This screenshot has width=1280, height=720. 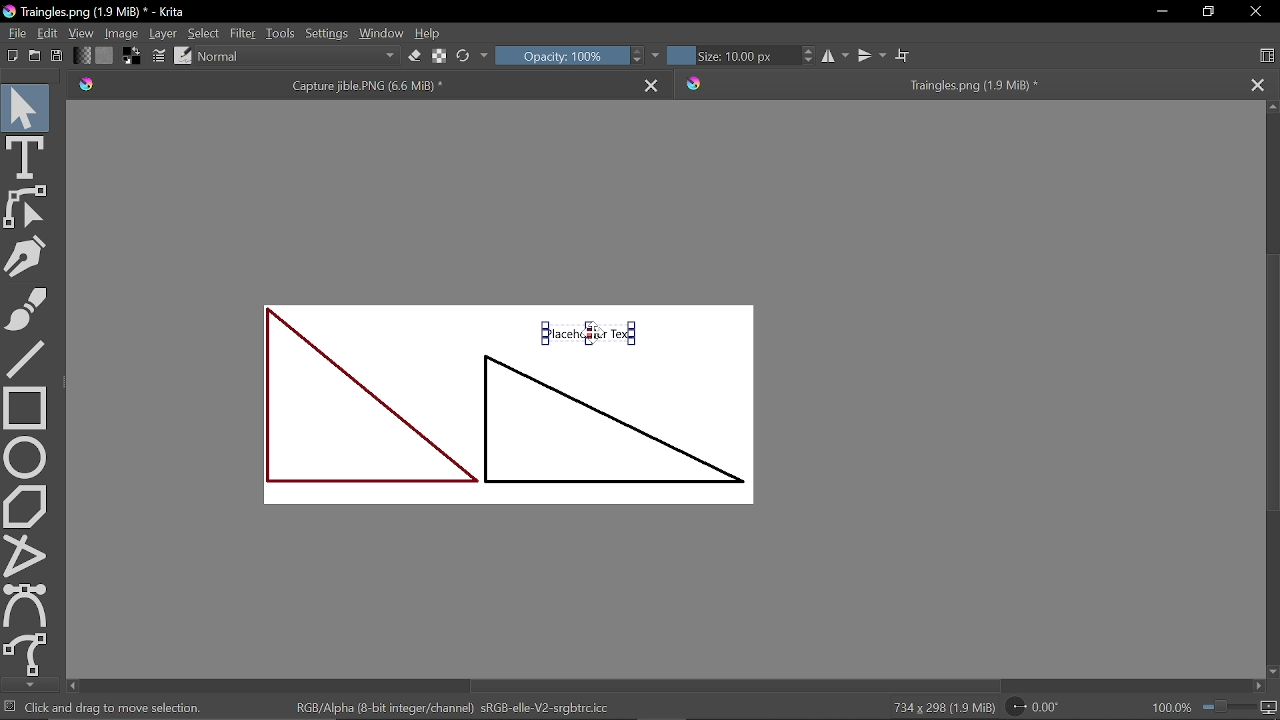 What do you see at coordinates (281, 32) in the screenshot?
I see `Tools` at bounding box center [281, 32].